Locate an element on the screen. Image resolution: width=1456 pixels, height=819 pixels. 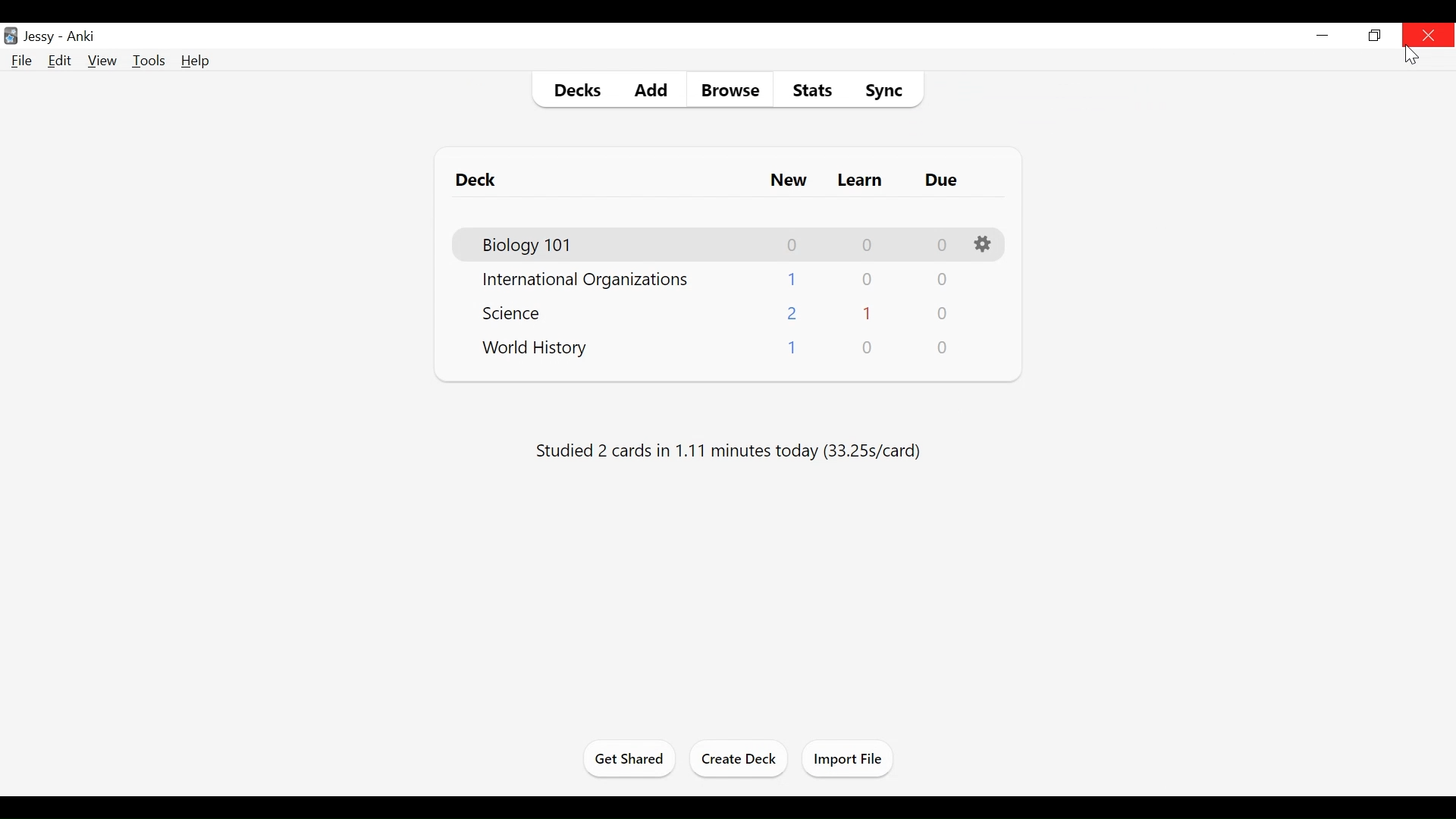
Edit is located at coordinates (58, 61).